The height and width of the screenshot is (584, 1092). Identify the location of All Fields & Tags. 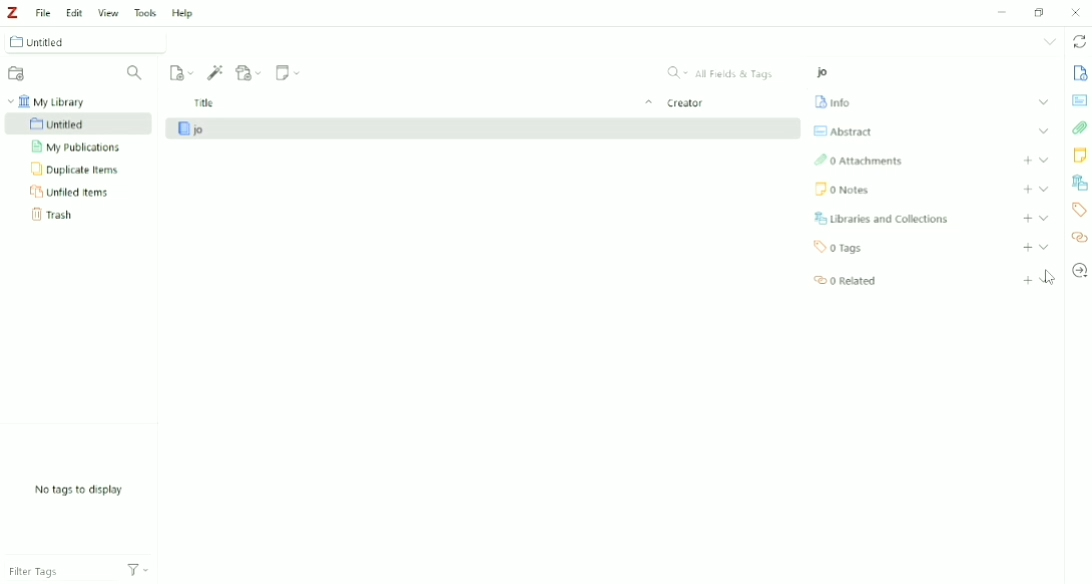
(720, 73).